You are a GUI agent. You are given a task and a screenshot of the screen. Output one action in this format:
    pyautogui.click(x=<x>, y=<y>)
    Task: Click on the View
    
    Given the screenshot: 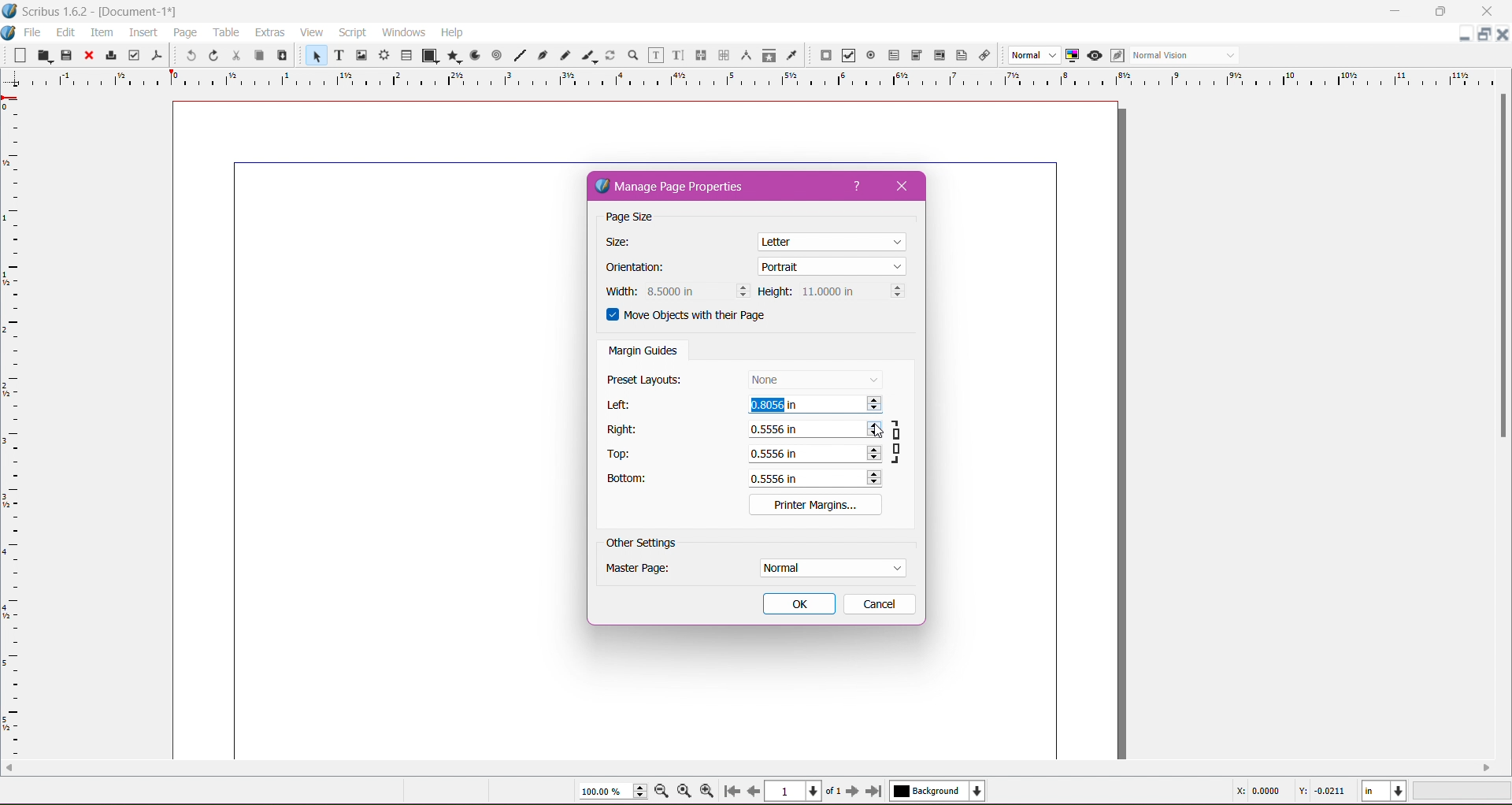 What is the action you would take?
    pyautogui.click(x=311, y=32)
    